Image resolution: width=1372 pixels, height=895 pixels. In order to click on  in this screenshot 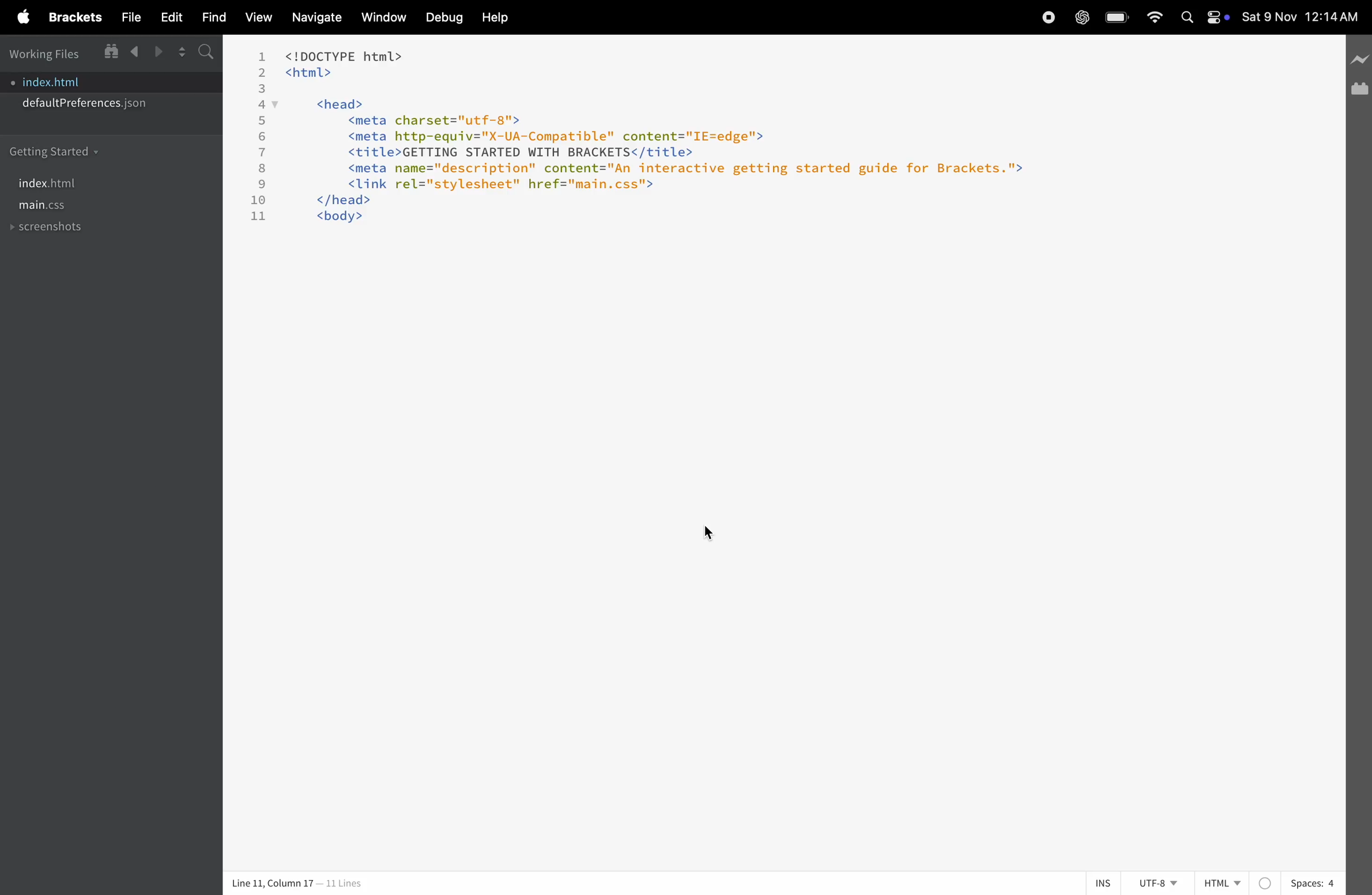, I will do `click(73, 20)`.